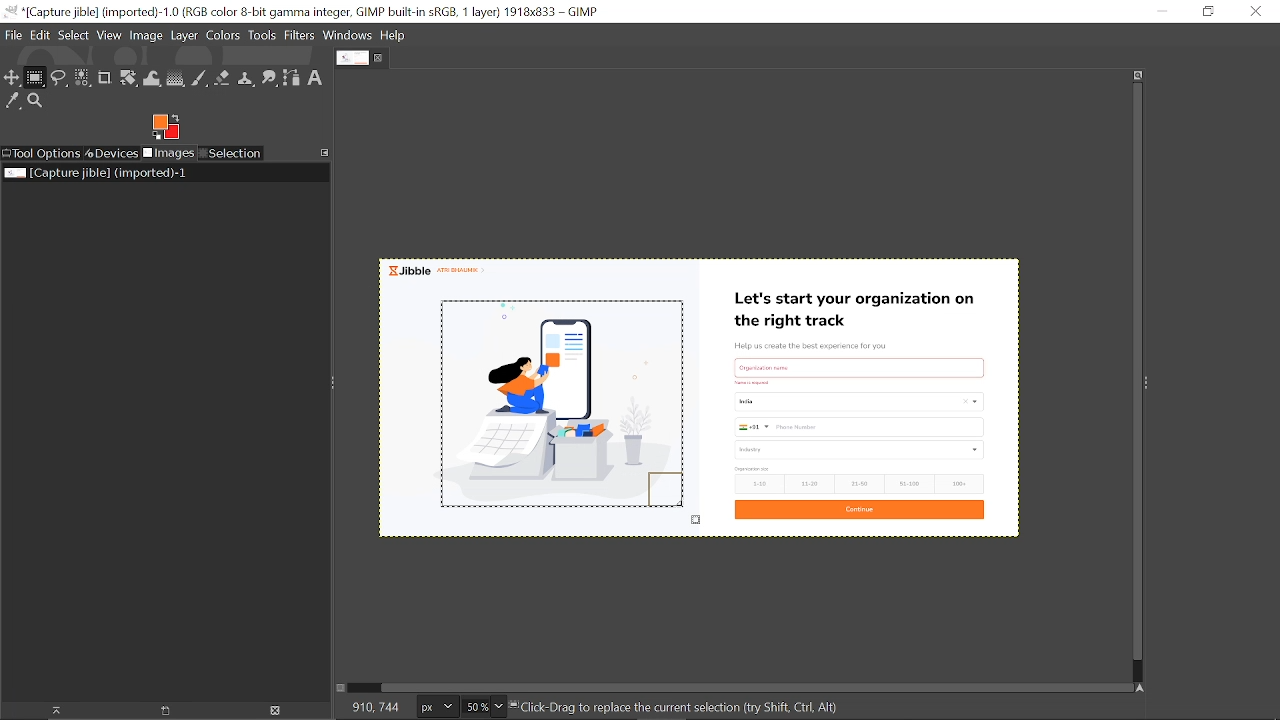  What do you see at coordinates (1161, 12) in the screenshot?
I see `Minimize` at bounding box center [1161, 12].